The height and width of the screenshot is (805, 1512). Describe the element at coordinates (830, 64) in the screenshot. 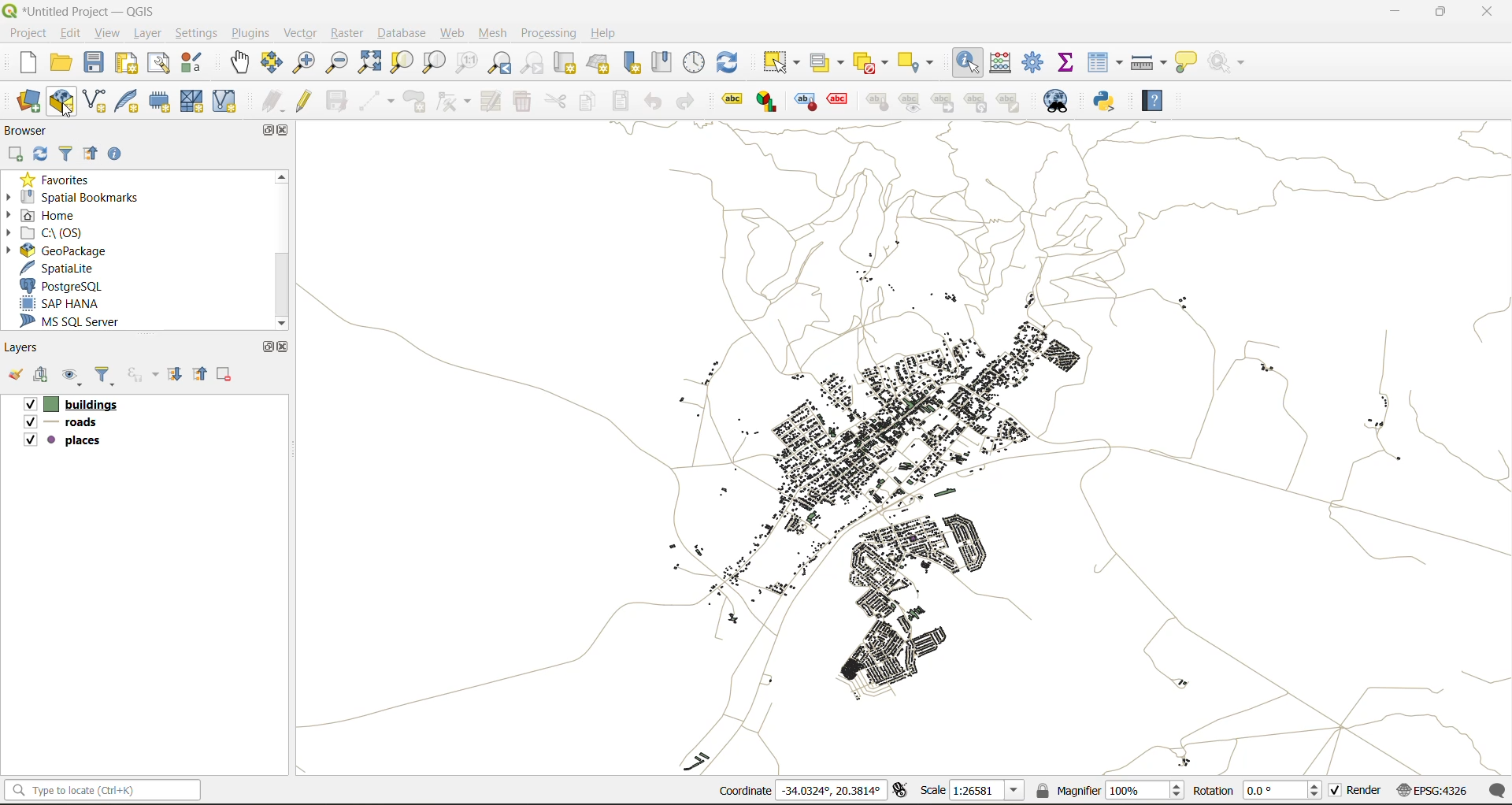

I see `select value` at that location.